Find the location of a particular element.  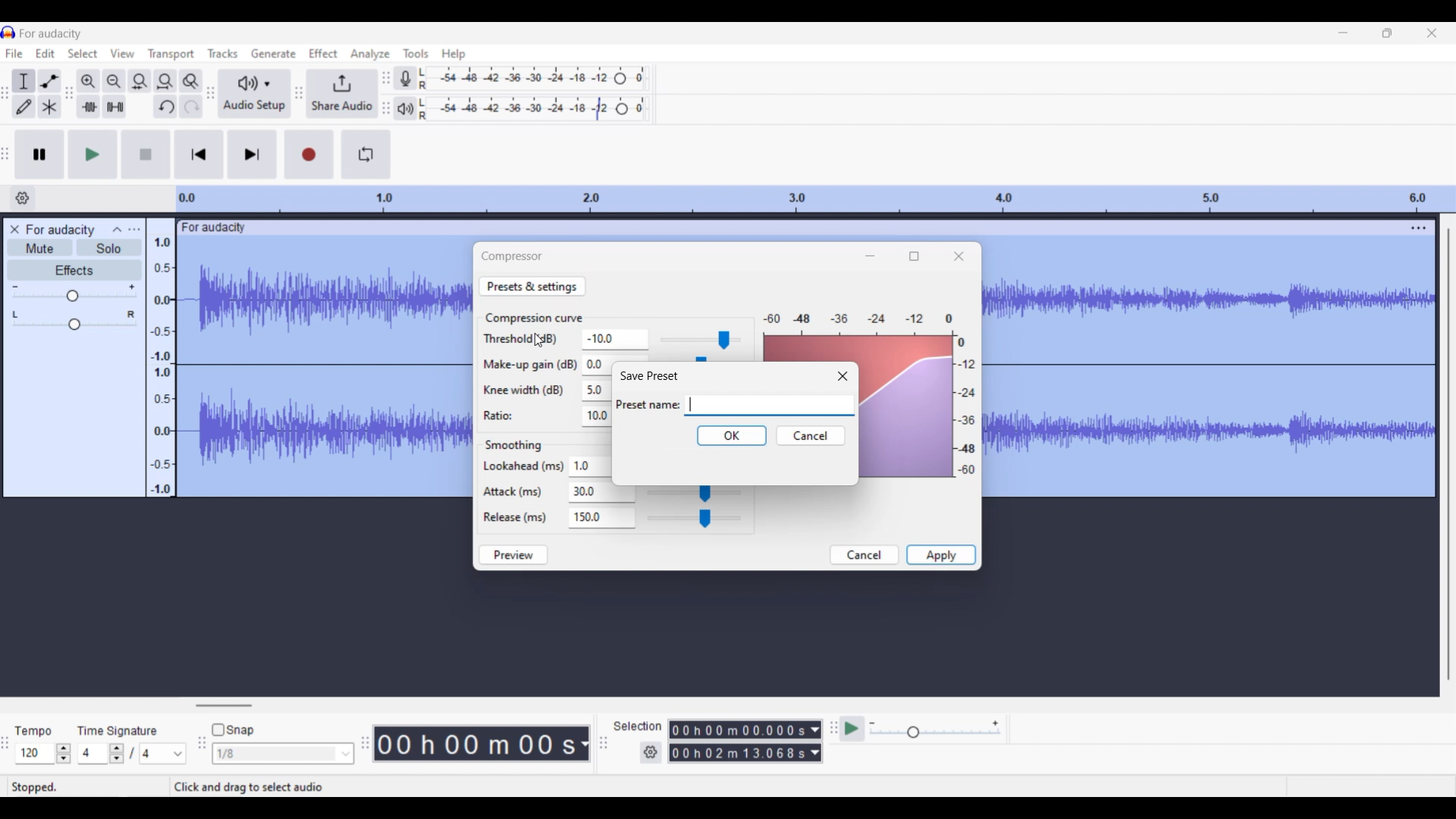

Zoom toggle is located at coordinates (190, 80).